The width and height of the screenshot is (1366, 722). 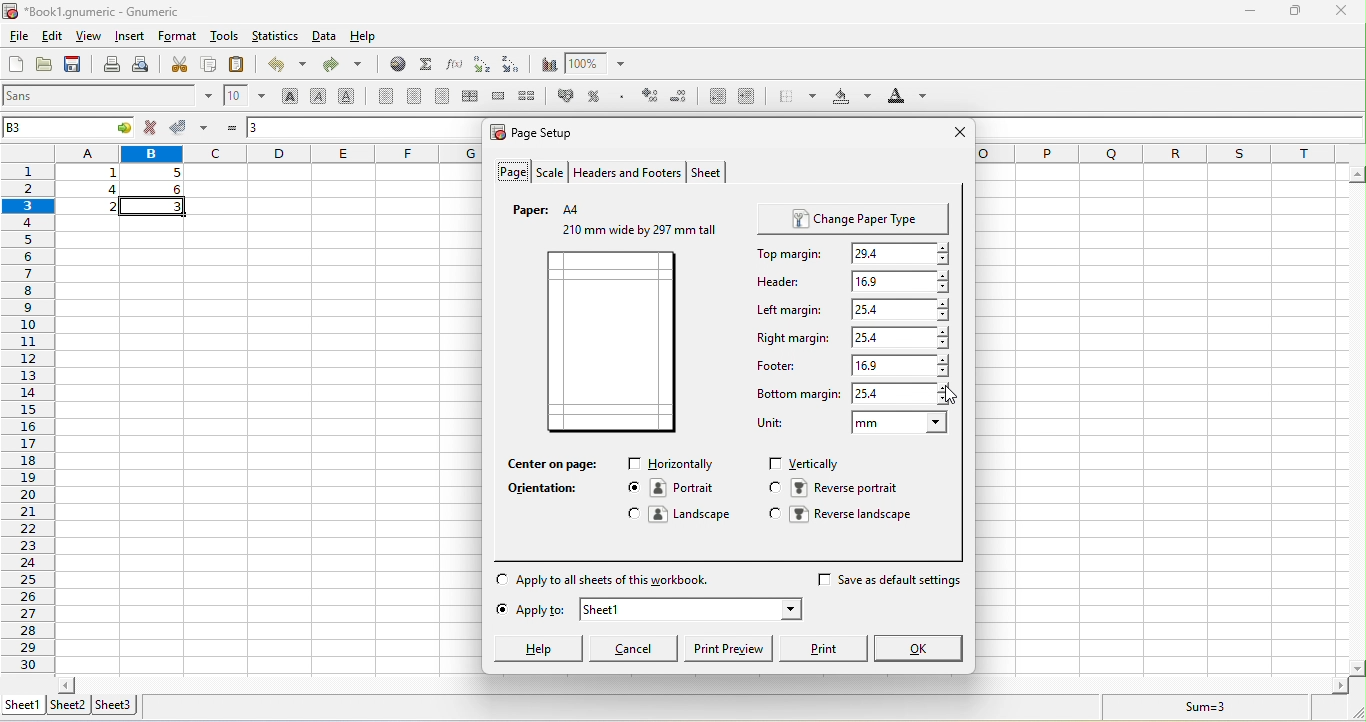 I want to click on top mergine, so click(x=786, y=254).